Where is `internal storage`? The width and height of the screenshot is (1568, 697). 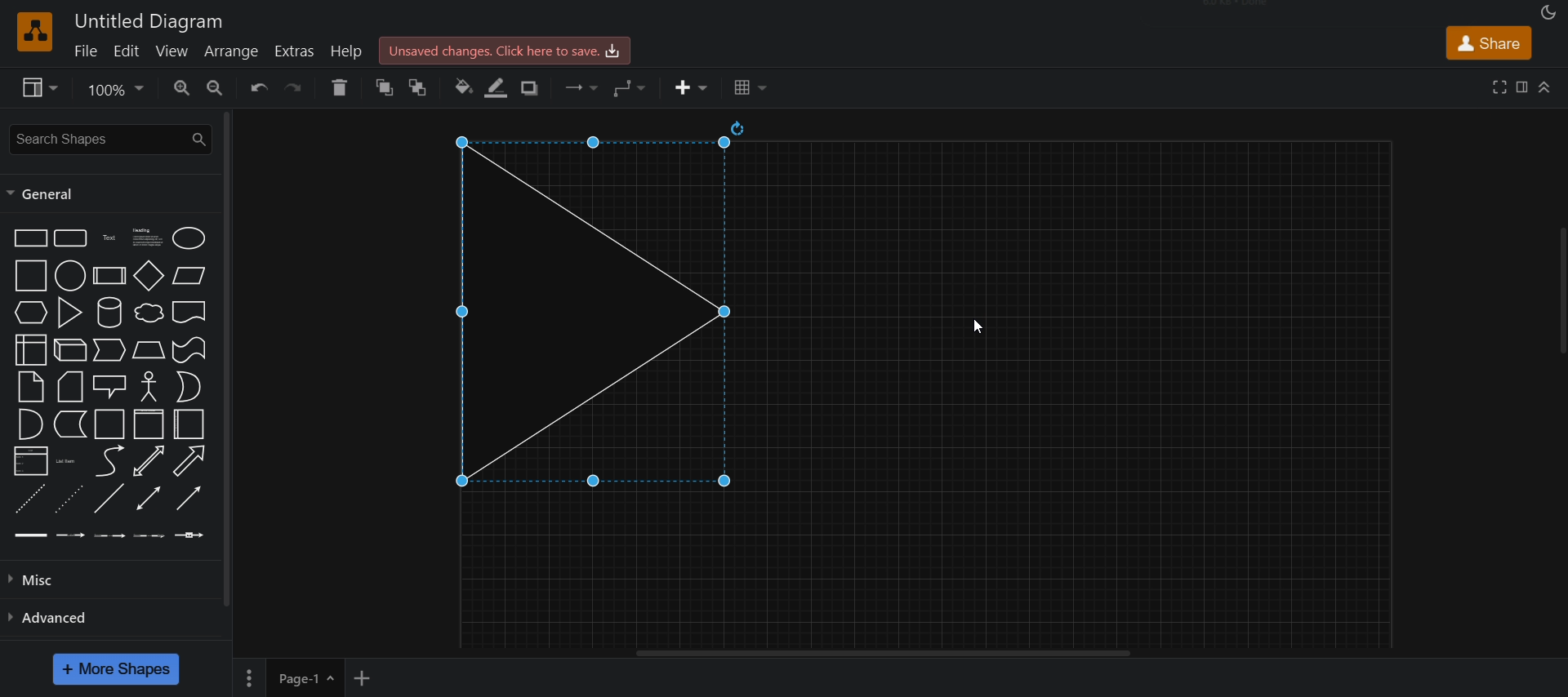
internal storage is located at coordinates (30, 351).